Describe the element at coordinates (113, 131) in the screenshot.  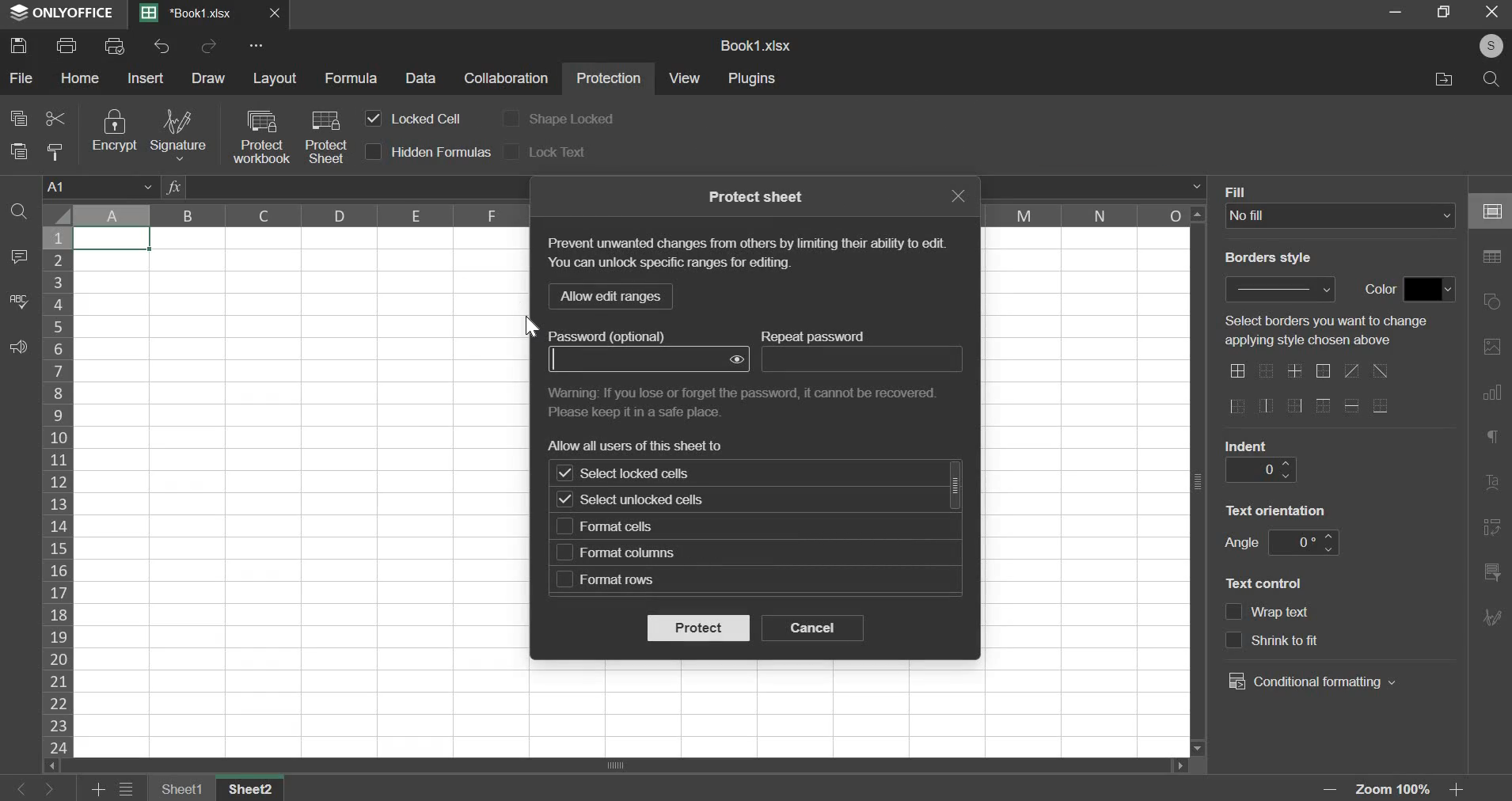
I see `encrypt` at that location.